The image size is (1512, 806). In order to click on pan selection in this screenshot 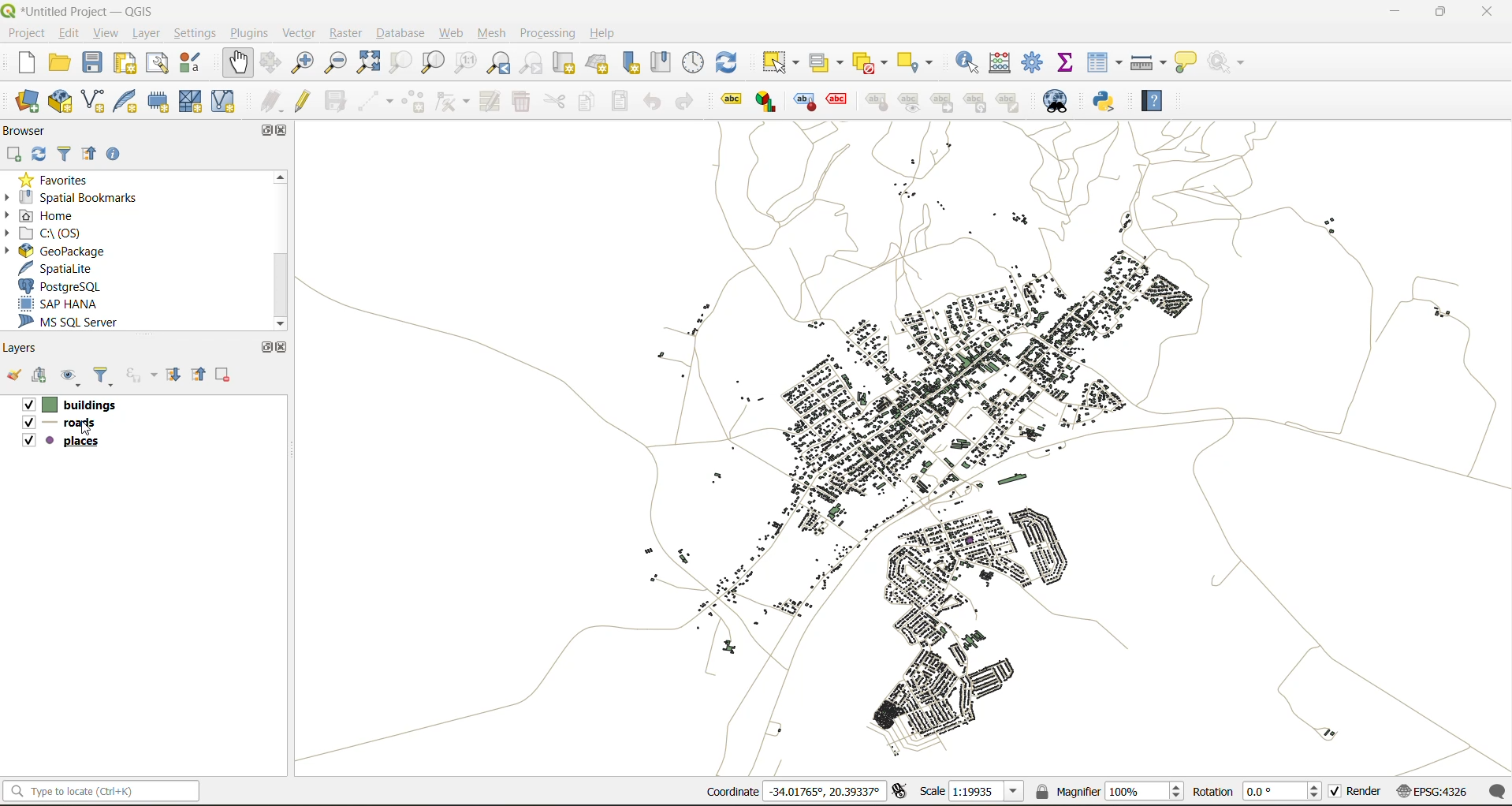, I will do `click(269, 63)`.